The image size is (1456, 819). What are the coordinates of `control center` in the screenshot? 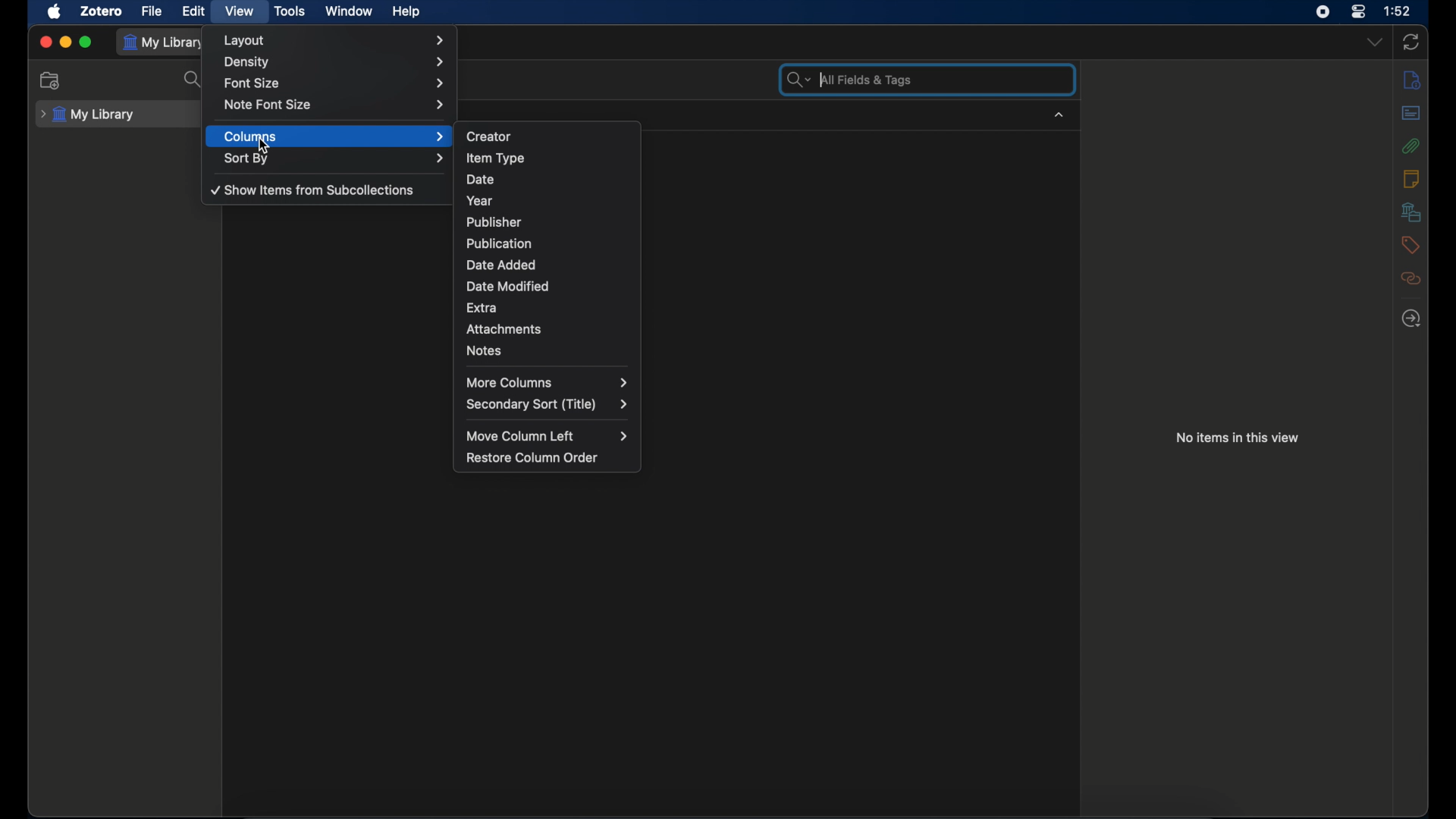 It's located at (1359, 11).